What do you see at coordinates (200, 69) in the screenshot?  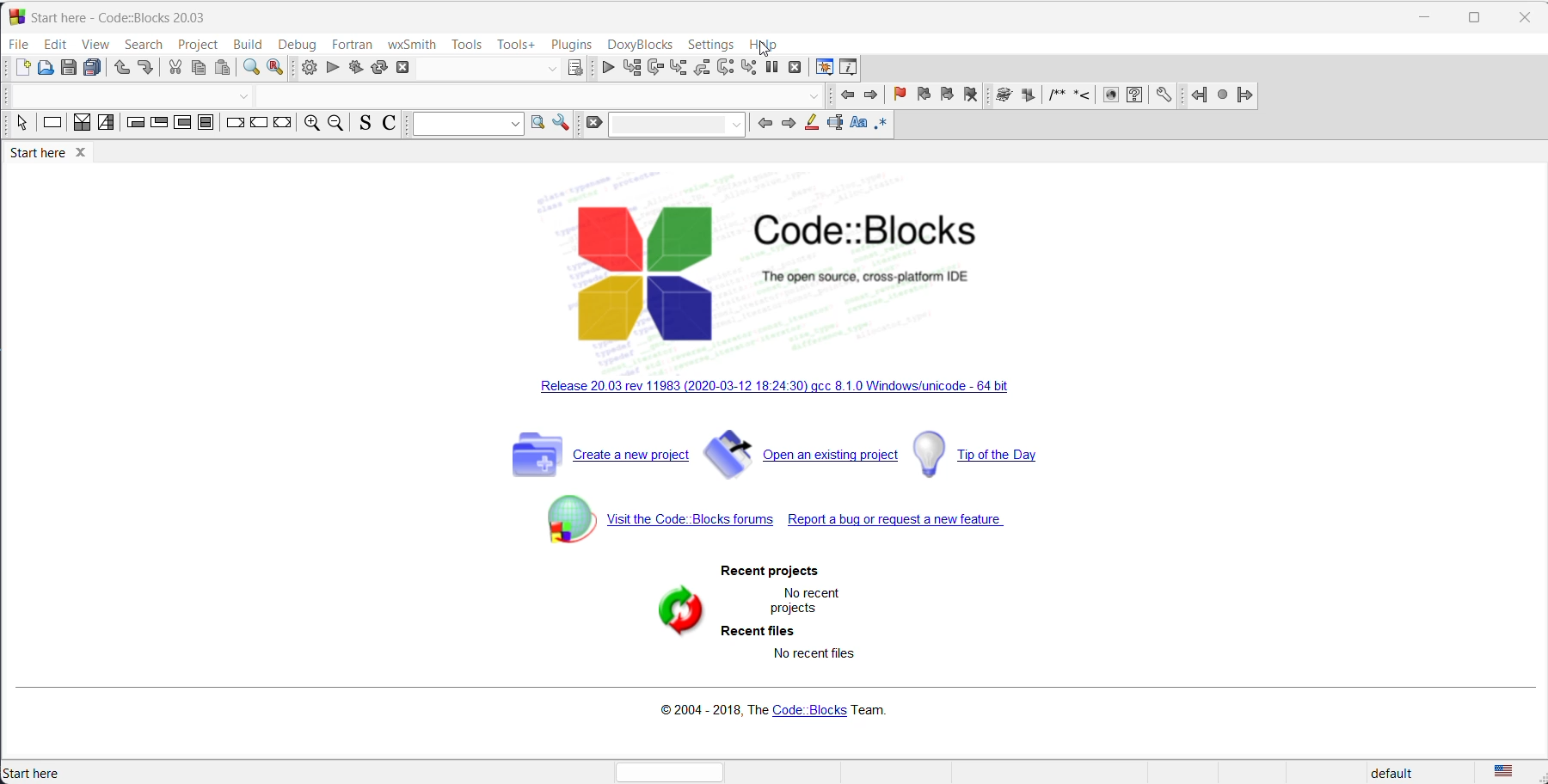 I see `copy` at bounding box center [200, 69].